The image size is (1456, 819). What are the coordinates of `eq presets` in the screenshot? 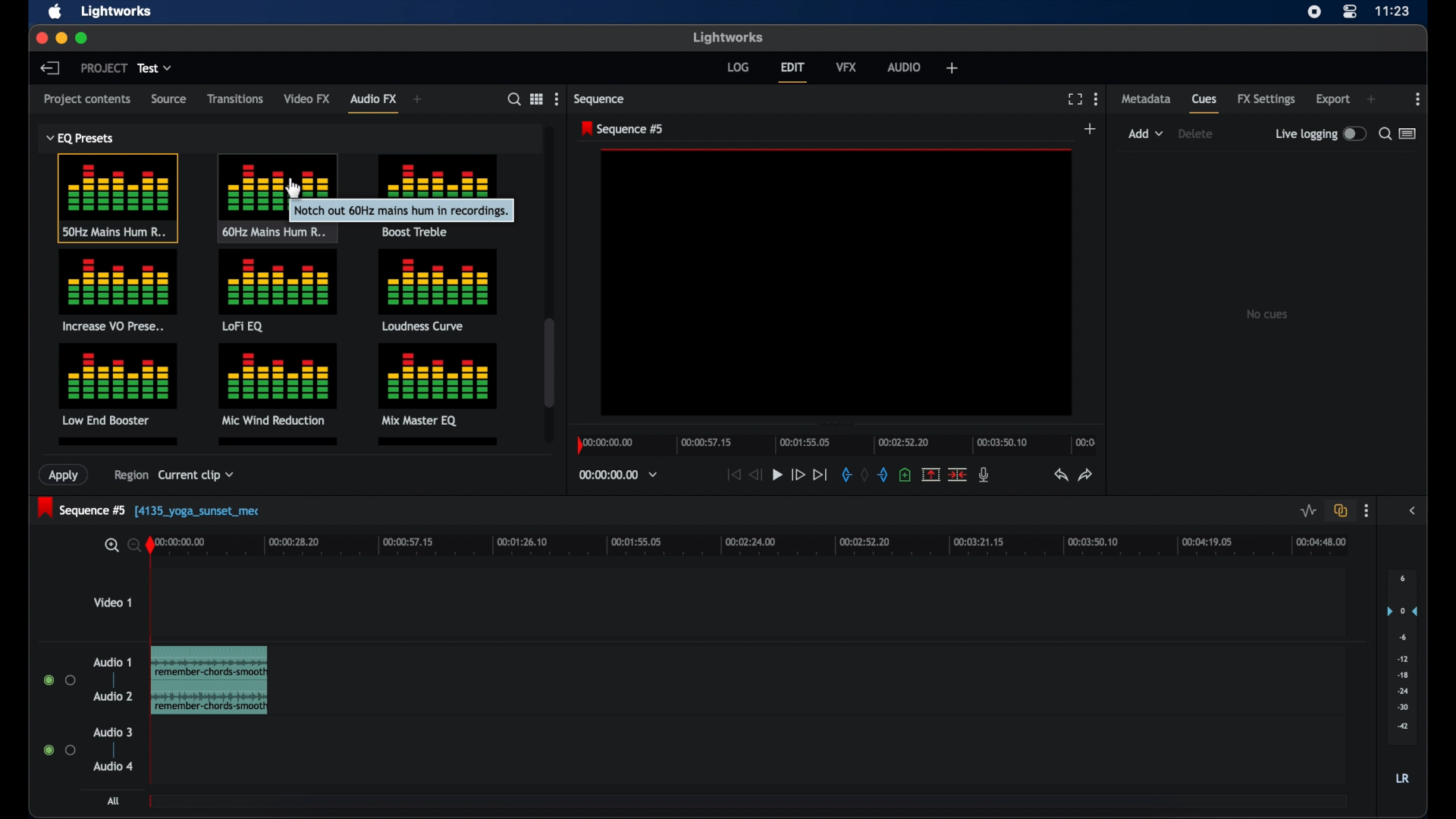 It's located at (81, 138).